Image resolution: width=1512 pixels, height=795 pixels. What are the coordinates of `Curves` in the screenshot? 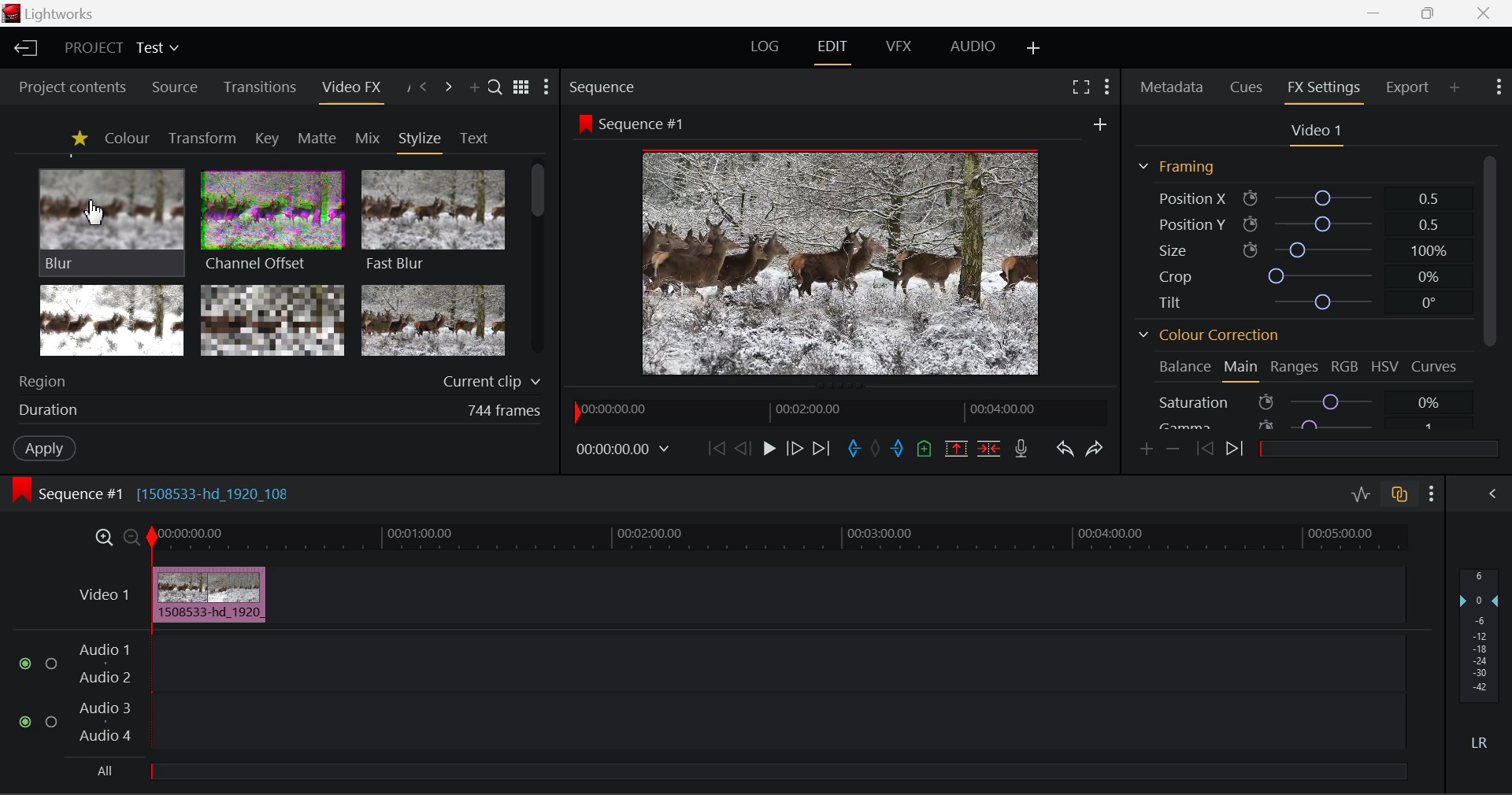 It's located at (1436, 368).